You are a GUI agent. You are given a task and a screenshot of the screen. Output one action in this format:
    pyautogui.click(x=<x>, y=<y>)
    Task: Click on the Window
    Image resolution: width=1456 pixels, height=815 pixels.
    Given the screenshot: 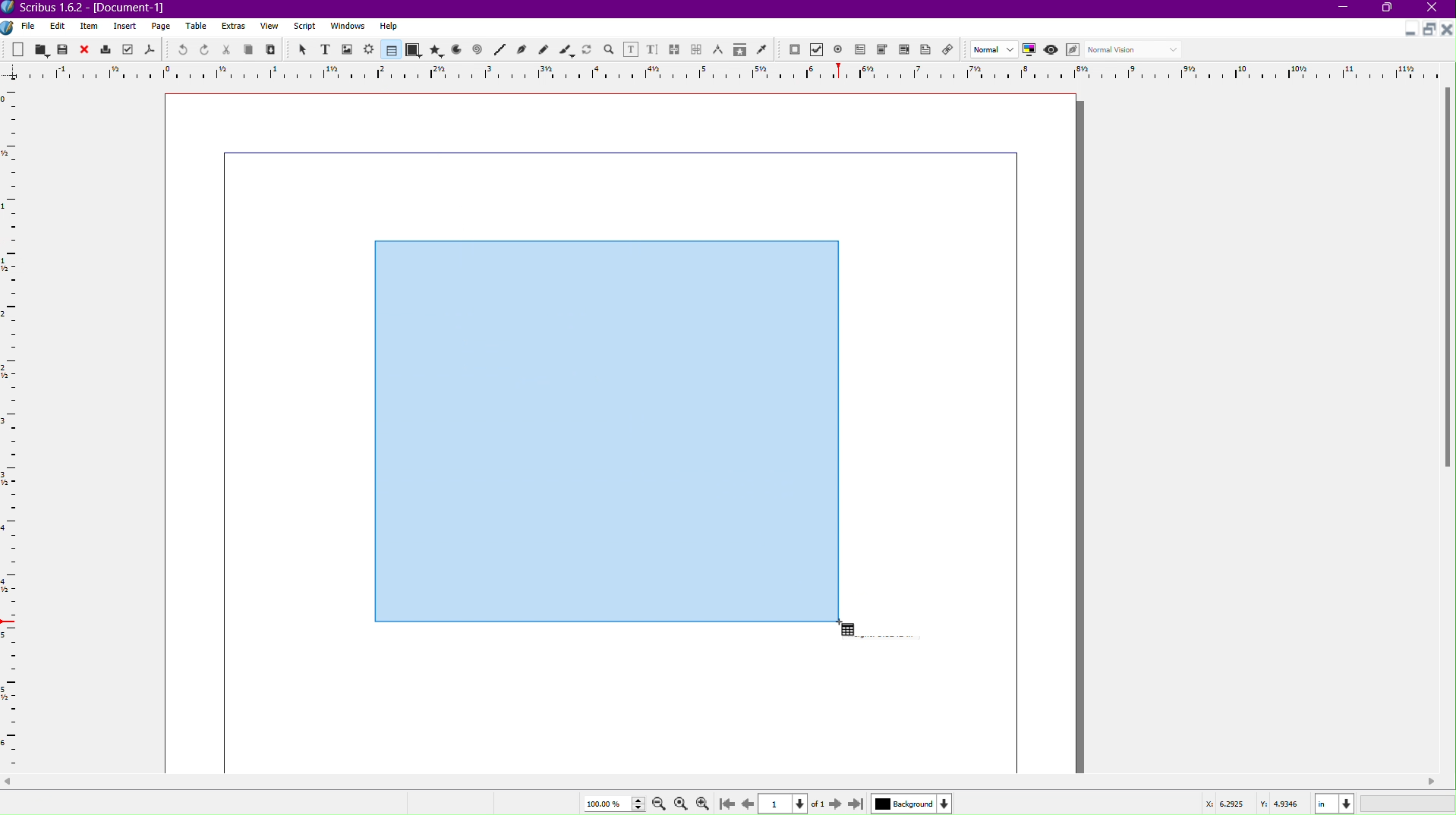 What is the action you would take?
    pyautogui.click(x=345, y=28)
    